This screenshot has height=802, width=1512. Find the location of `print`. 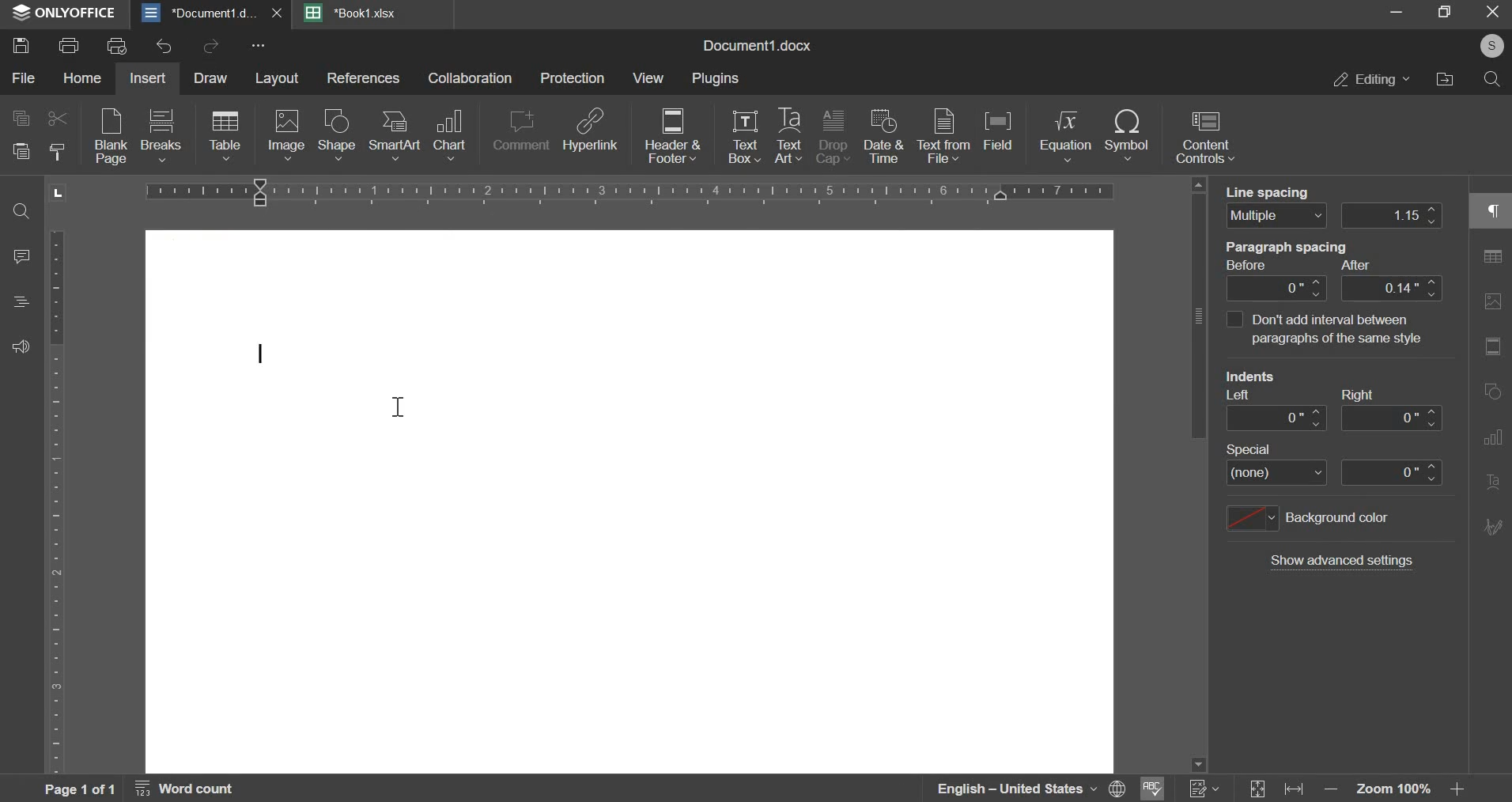

print is located at coordinates (69, 46).